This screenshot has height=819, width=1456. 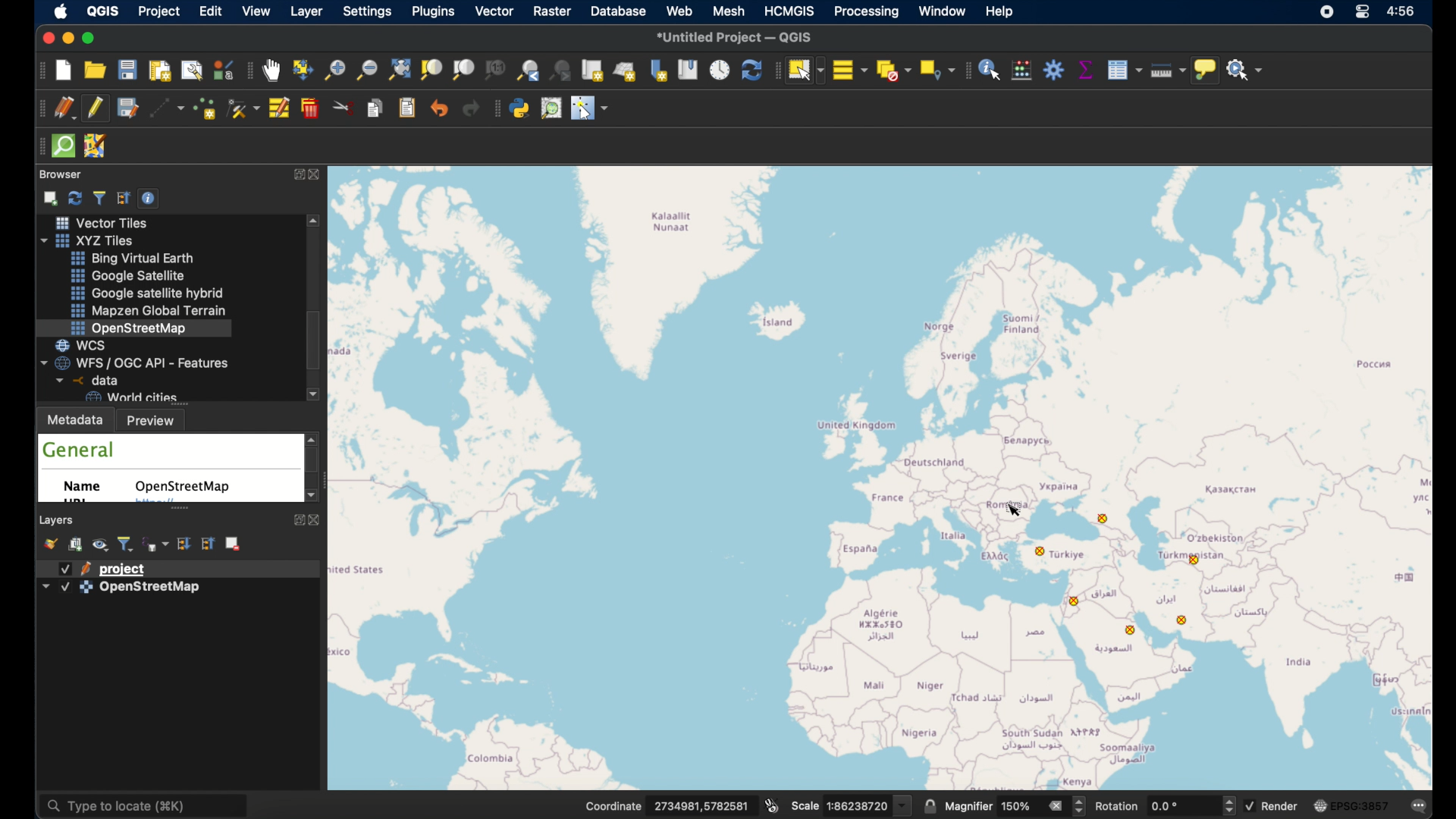 I want to click on new spatial bookmarks, so click(x=659, y=70).